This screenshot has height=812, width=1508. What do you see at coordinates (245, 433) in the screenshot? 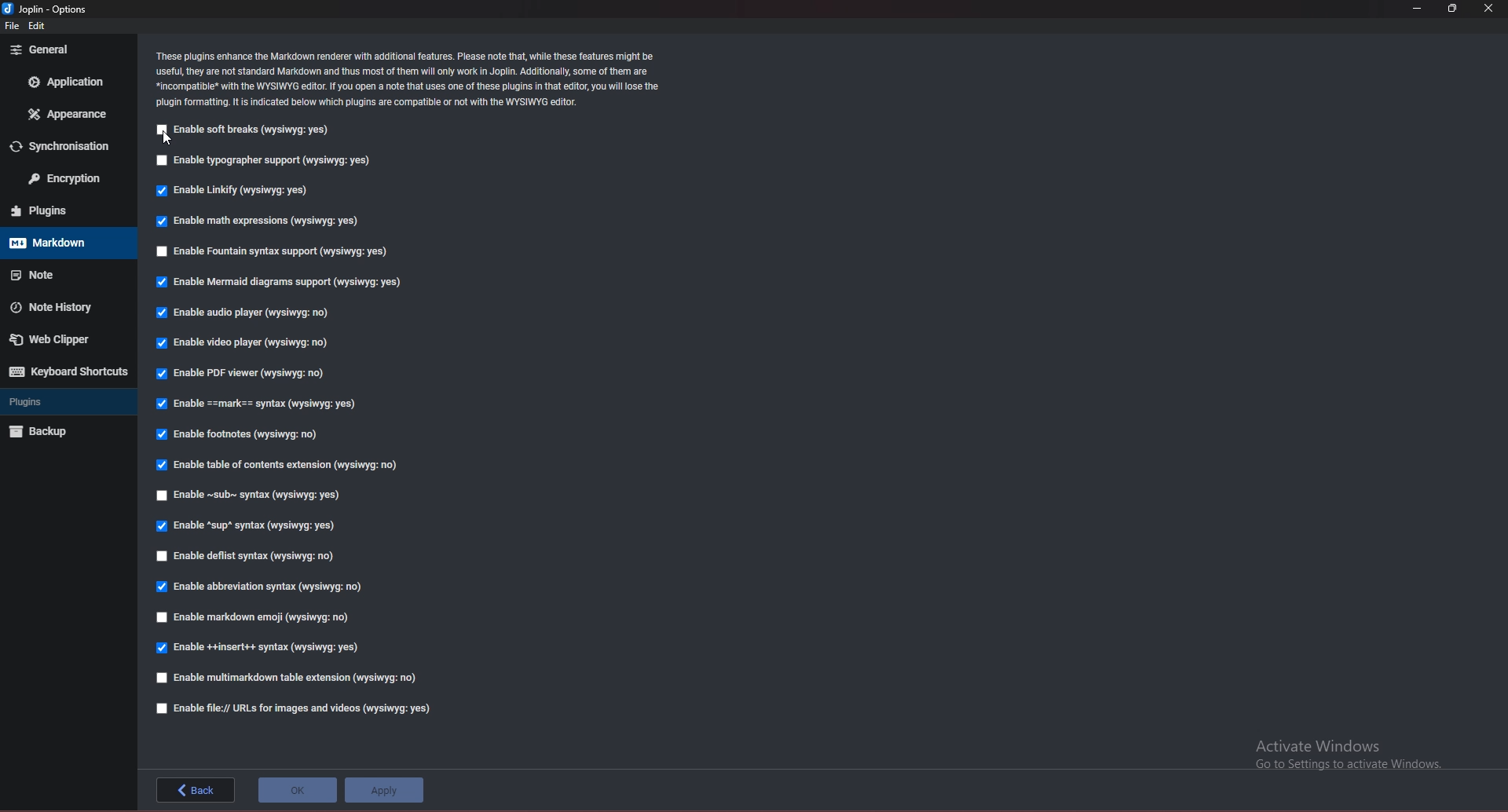
I see `enable footnotes` at bounding box center [245, 433].